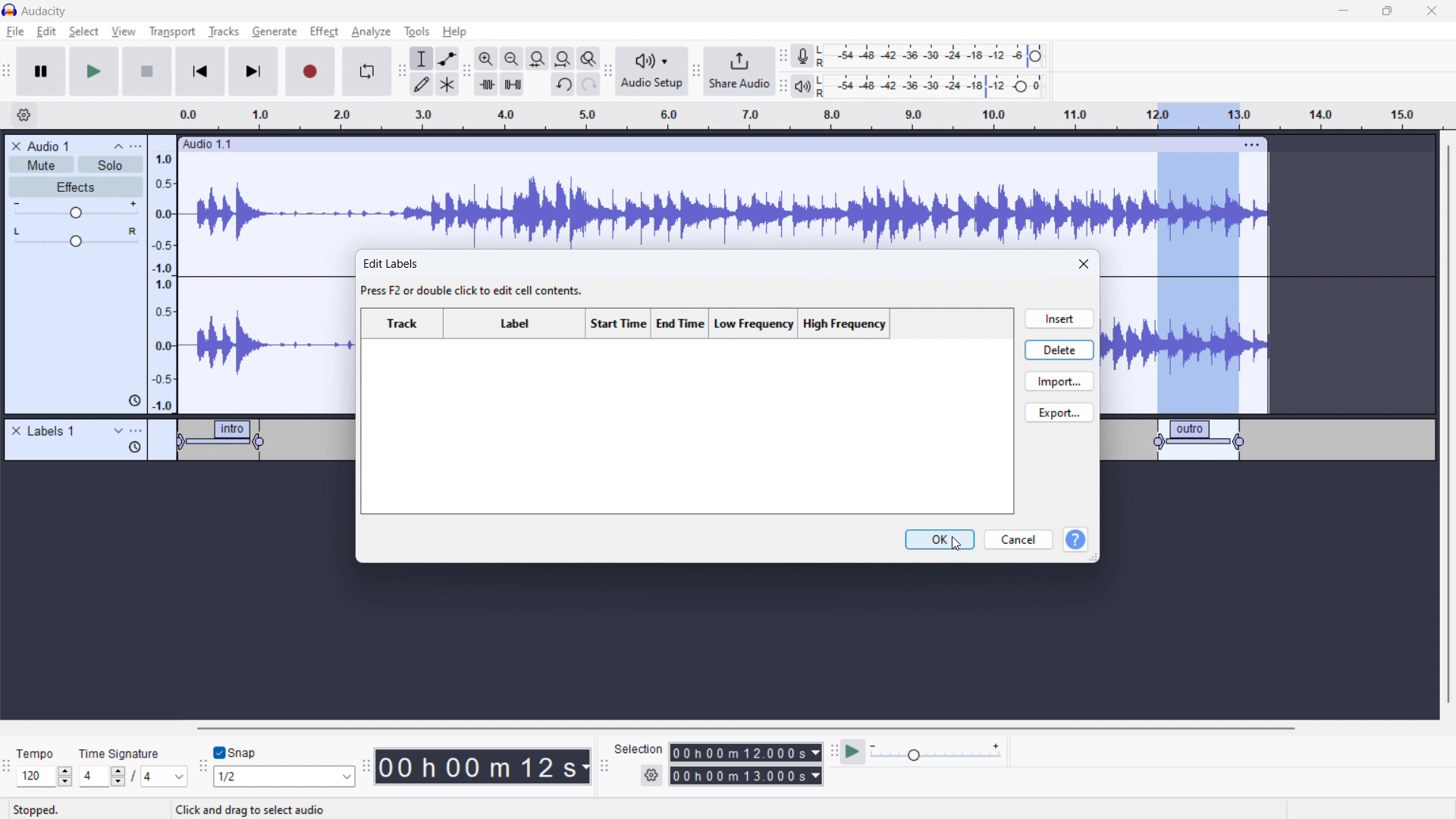 Image resolution: width=1456 pixels, height=819 pixels. Describe the element at coordinates (199, 72) in the screenshot. I see `skip to the starting` at that location.